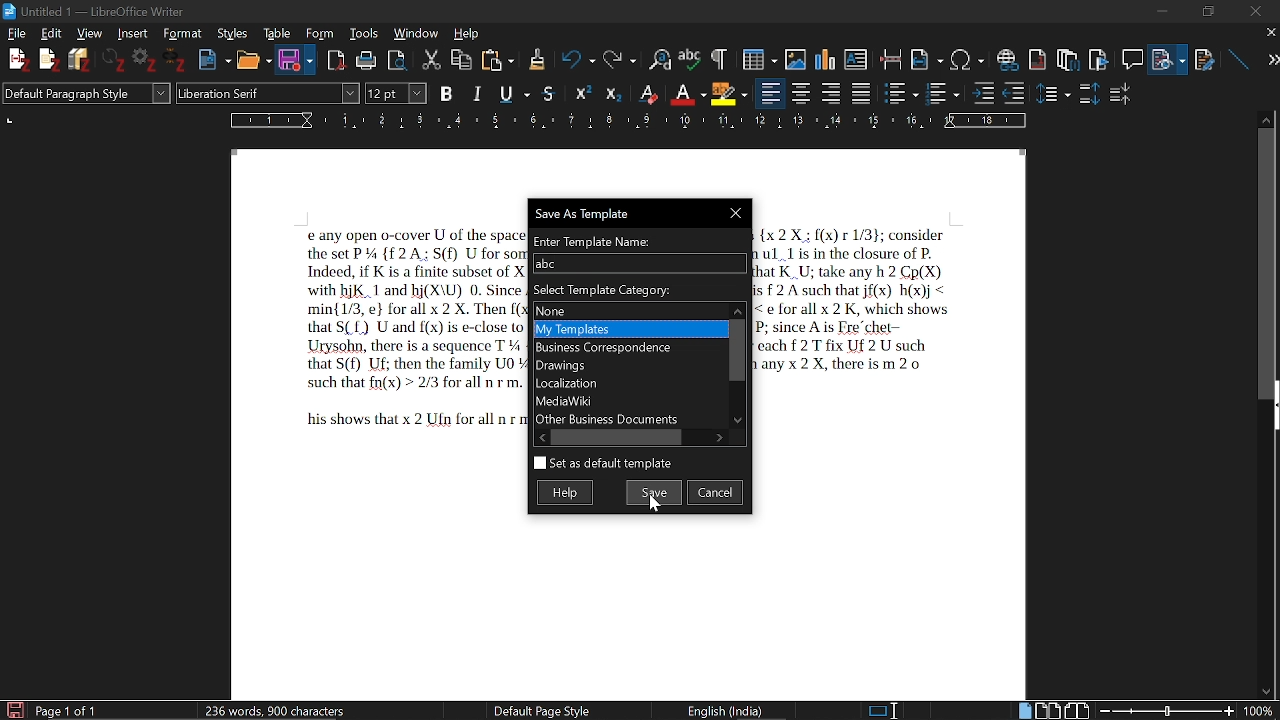 This screenshot has height=720, width=1280. What do you see at coordinates (927, 55) in the screenshot?
I see `Insert field` at bounding box center [927, 55].